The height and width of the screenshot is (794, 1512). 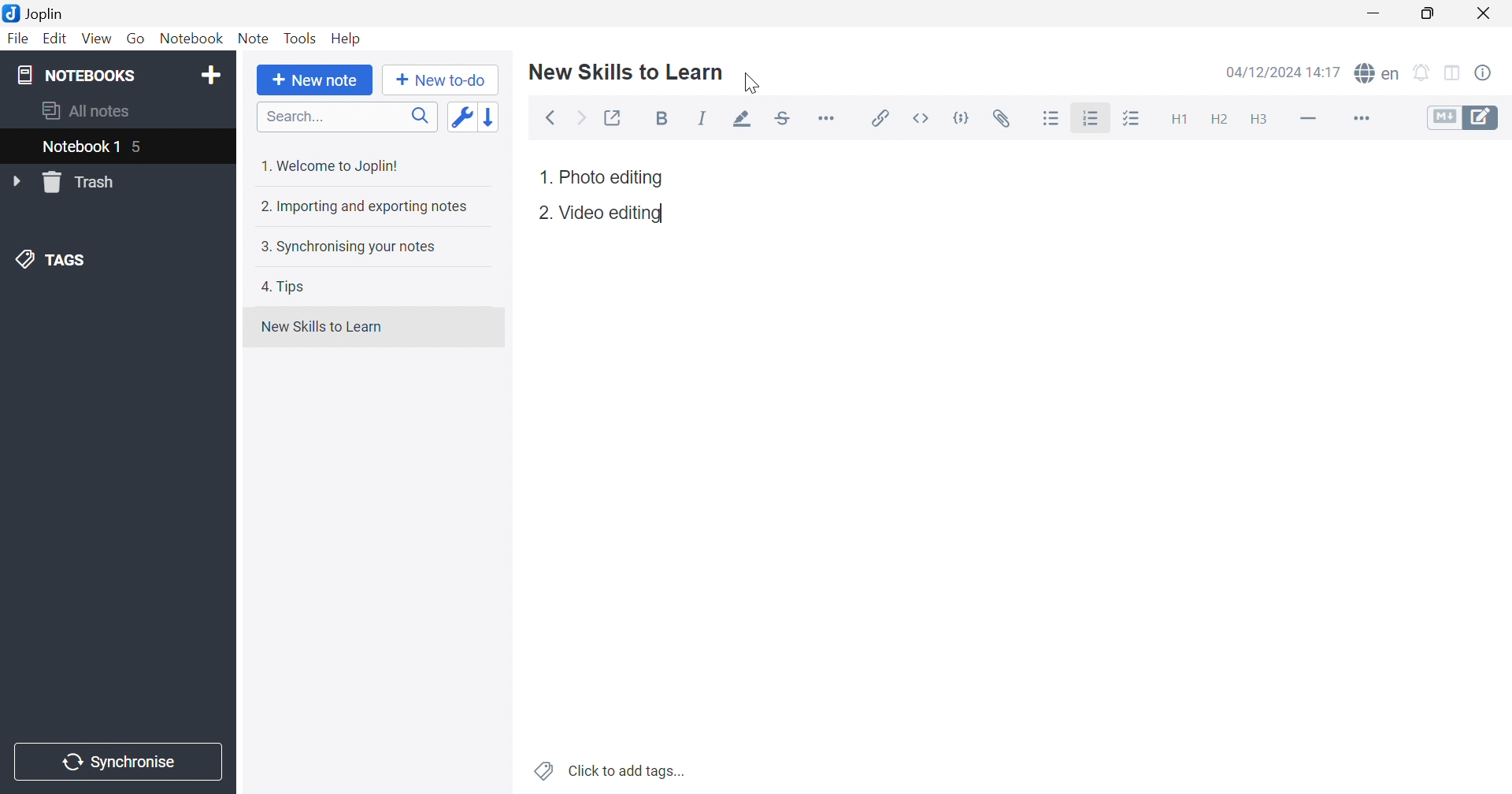 What do you see at coordinates (1455, 74) in the screenshot?
I see `Toggle editor layout` at bounding box center [1455, 74].